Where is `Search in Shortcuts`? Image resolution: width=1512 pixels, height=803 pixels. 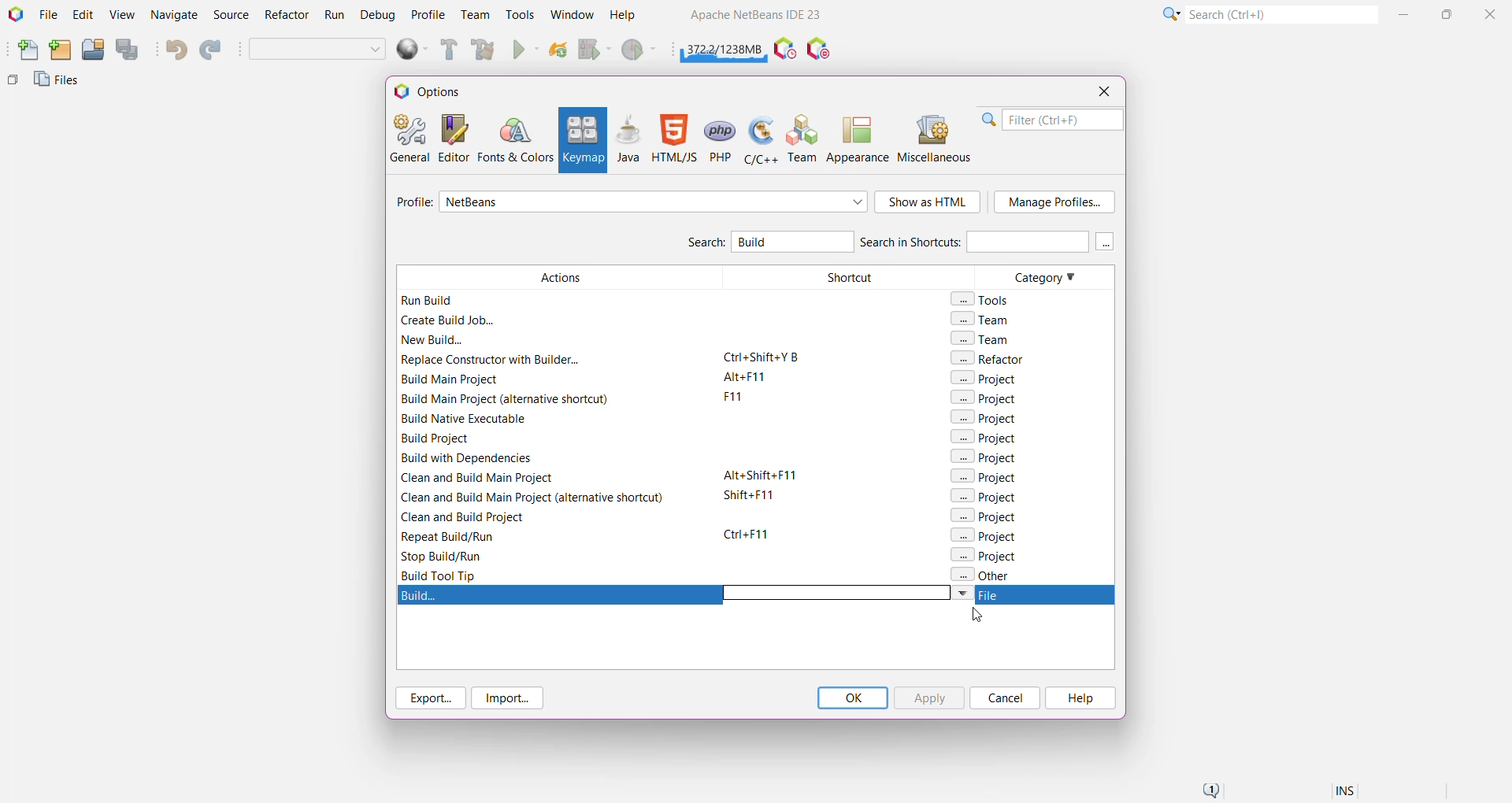
Search in Shortcuts is located at coordinates (973, 241).